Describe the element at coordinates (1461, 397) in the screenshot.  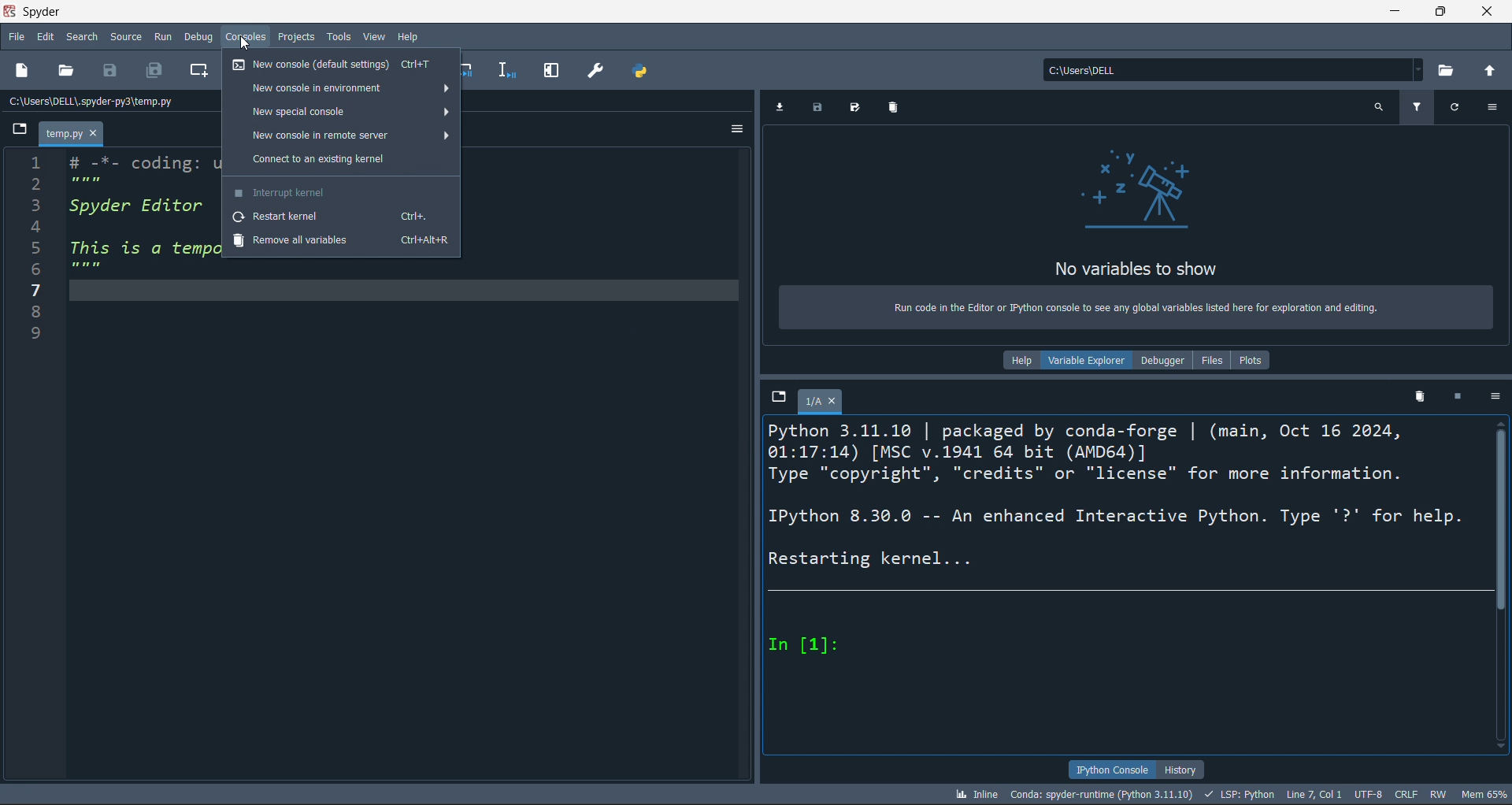
I see `stop kernel` at that location.